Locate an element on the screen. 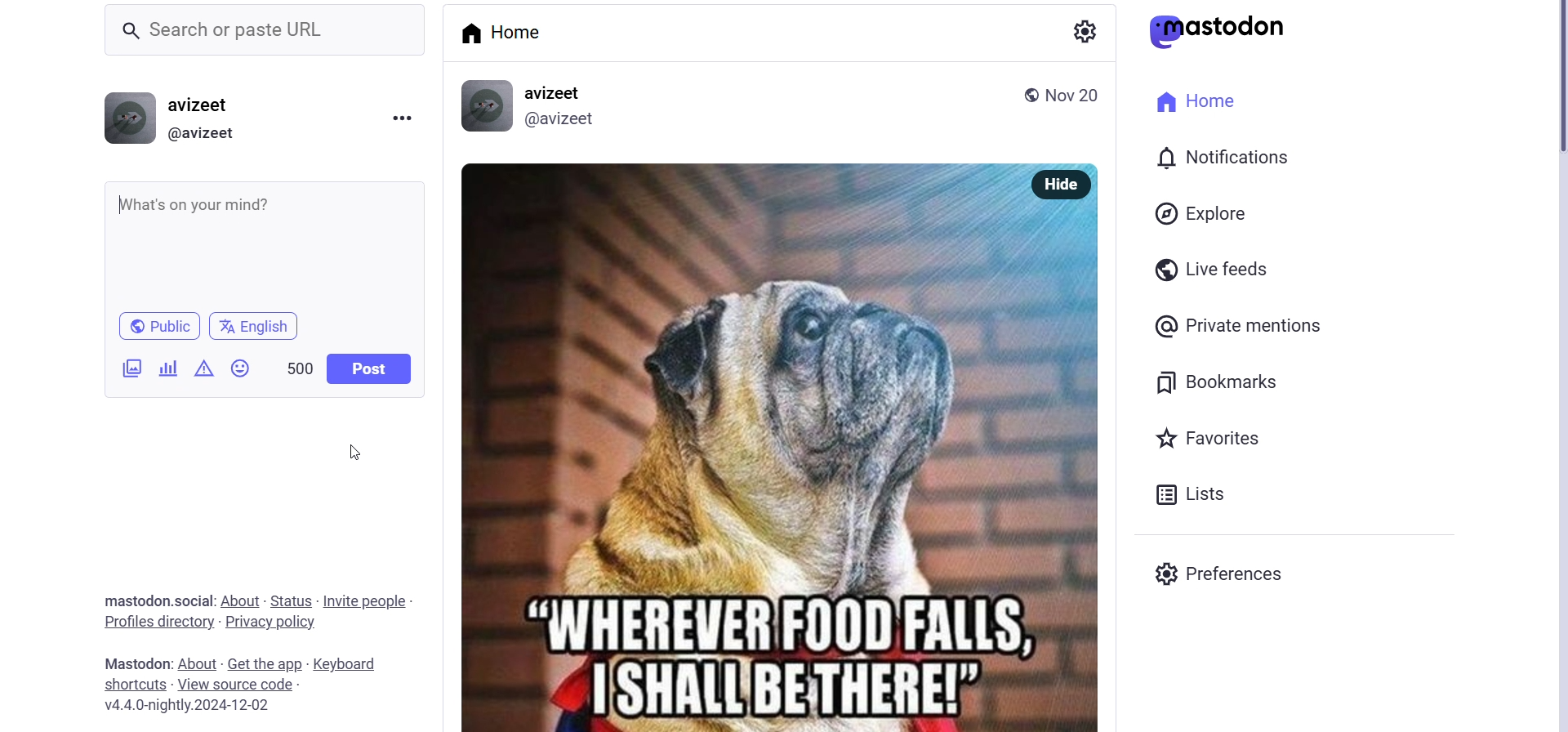 The height and width of the screenshot is (732, 1568). view source code is located at coordinates (236, 685).